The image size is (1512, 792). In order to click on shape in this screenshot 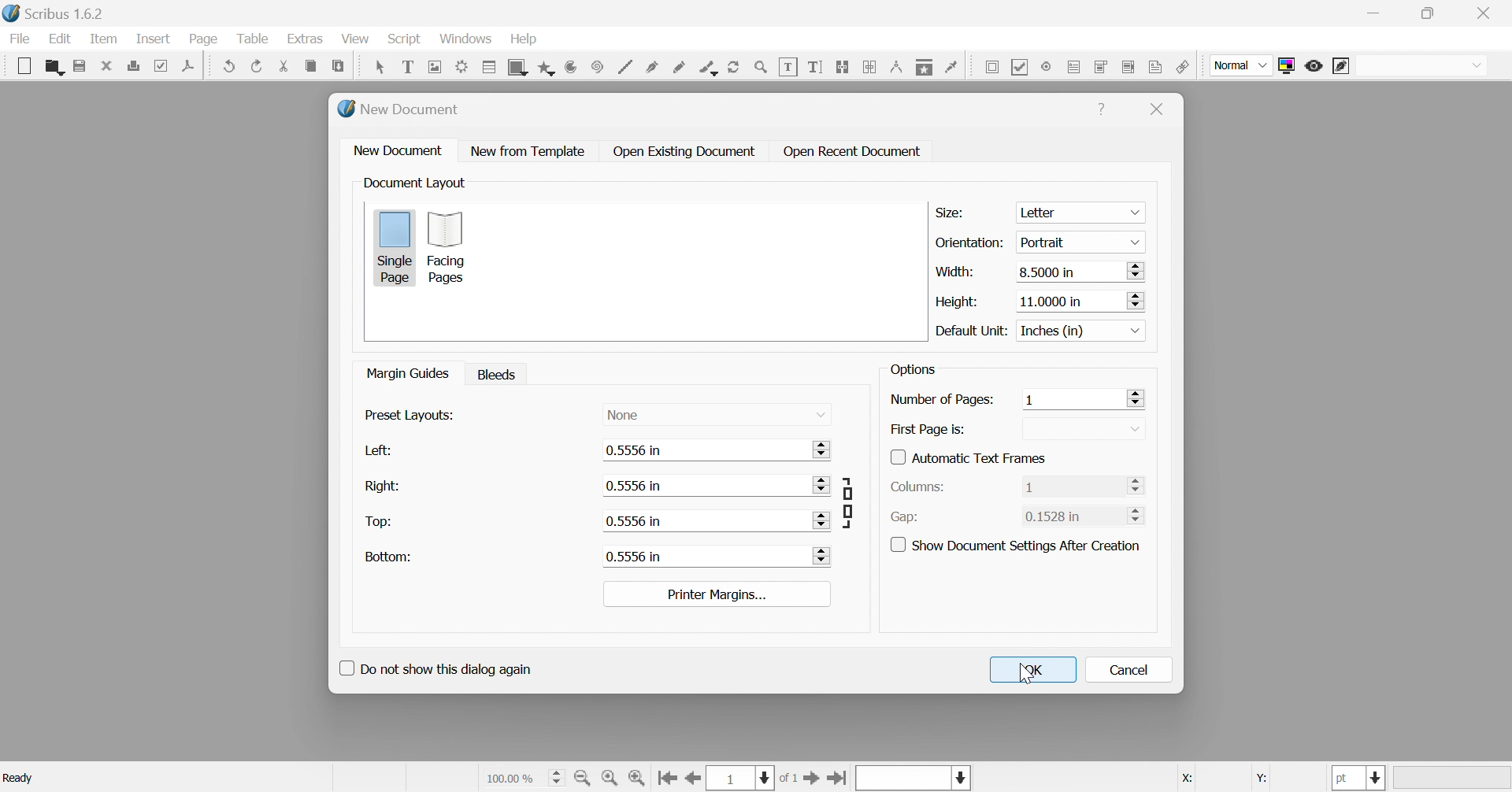, I will do `click(519, 66)`.